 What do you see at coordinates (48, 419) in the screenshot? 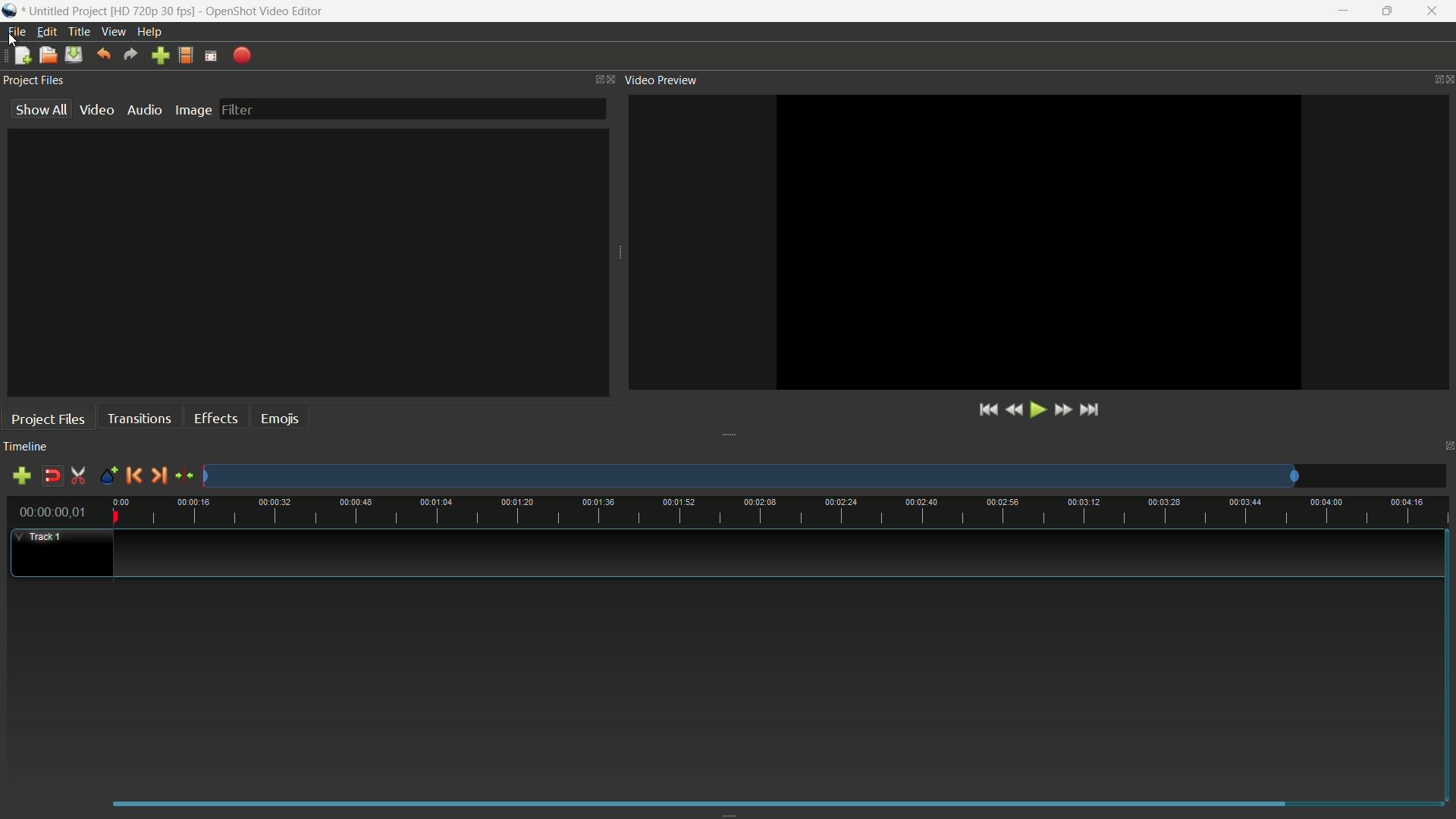
I see `project files` at bounding box center [48, 419].